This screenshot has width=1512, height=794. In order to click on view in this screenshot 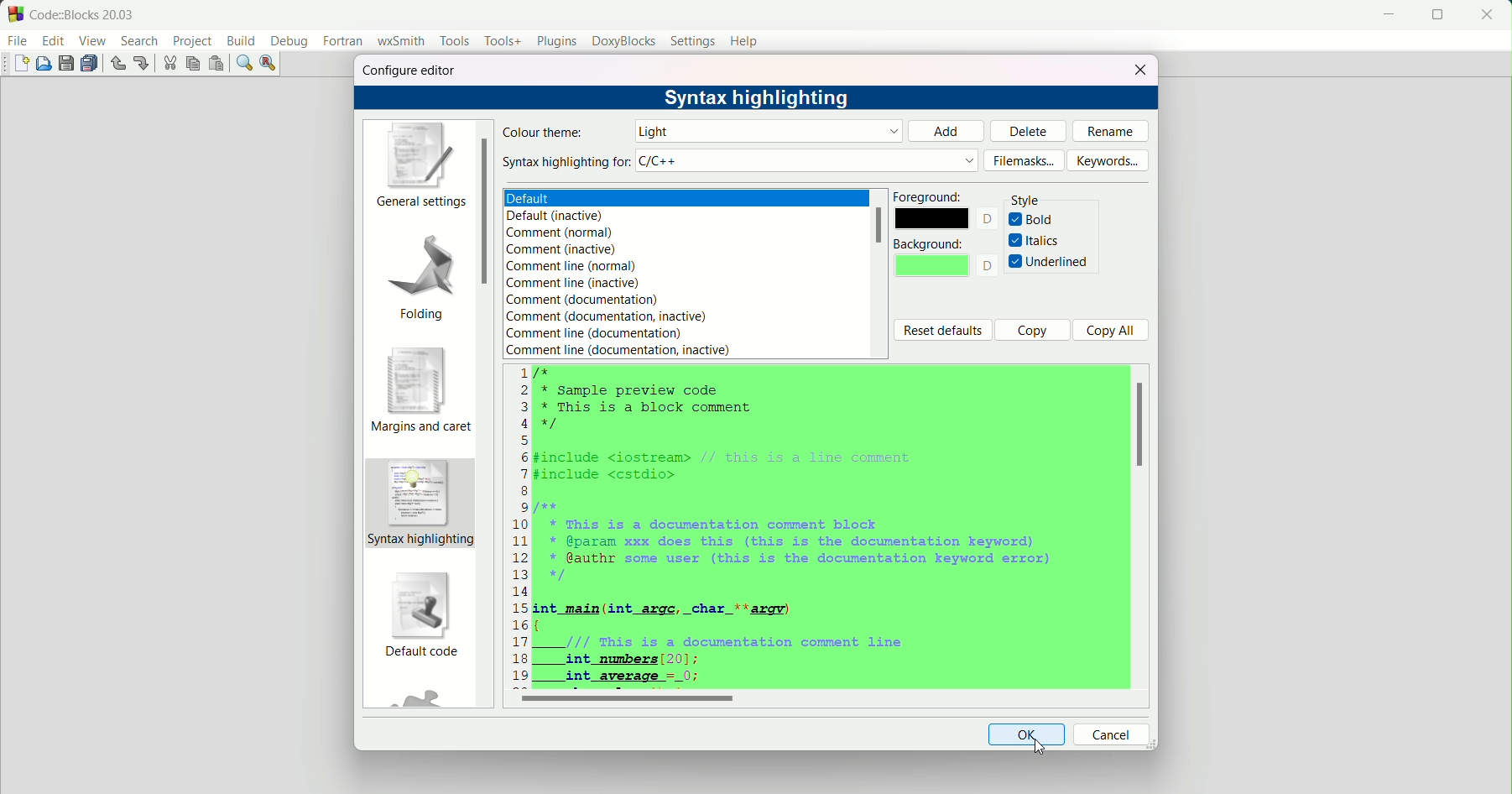, I will do `click(93, 41)`.